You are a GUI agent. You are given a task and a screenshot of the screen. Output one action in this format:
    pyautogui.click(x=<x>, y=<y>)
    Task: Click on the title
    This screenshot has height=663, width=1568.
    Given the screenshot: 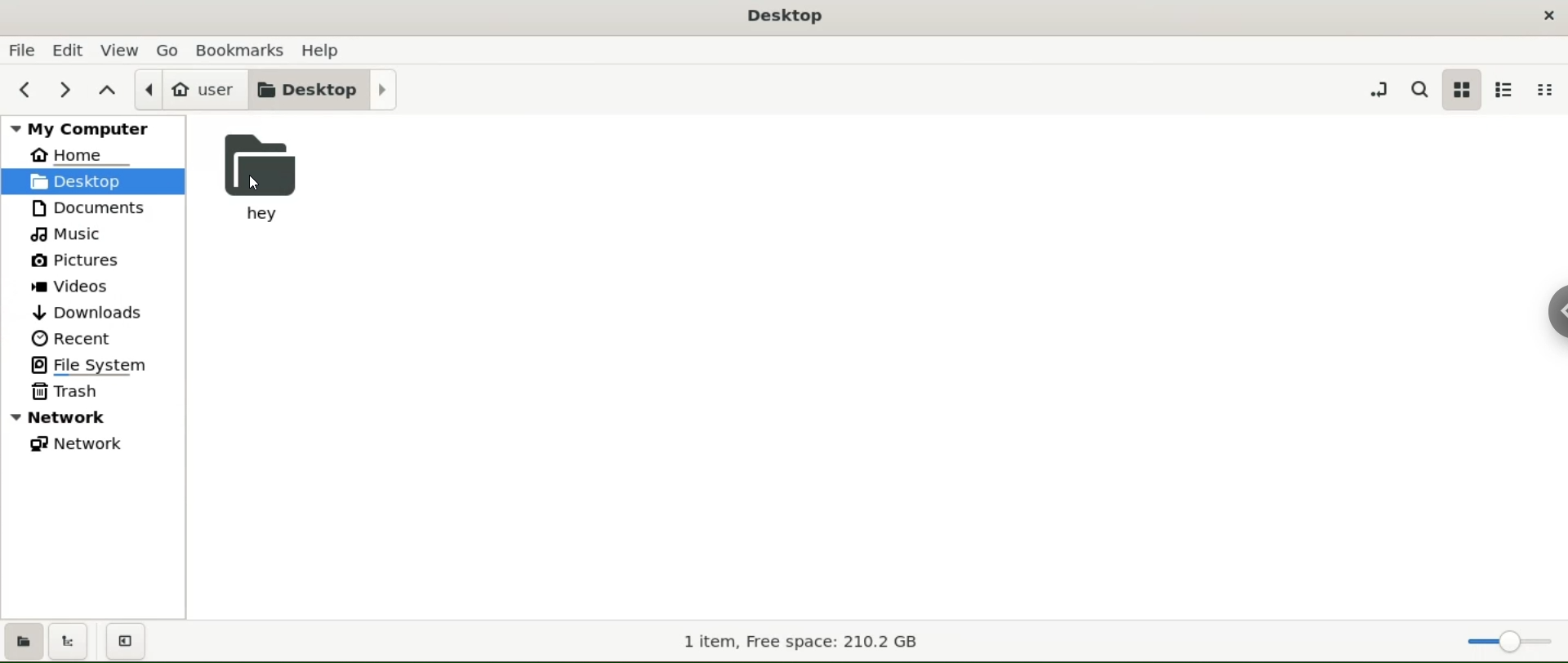 What is the action you would take?
    pyautogui.click(x=786, y=19)
    